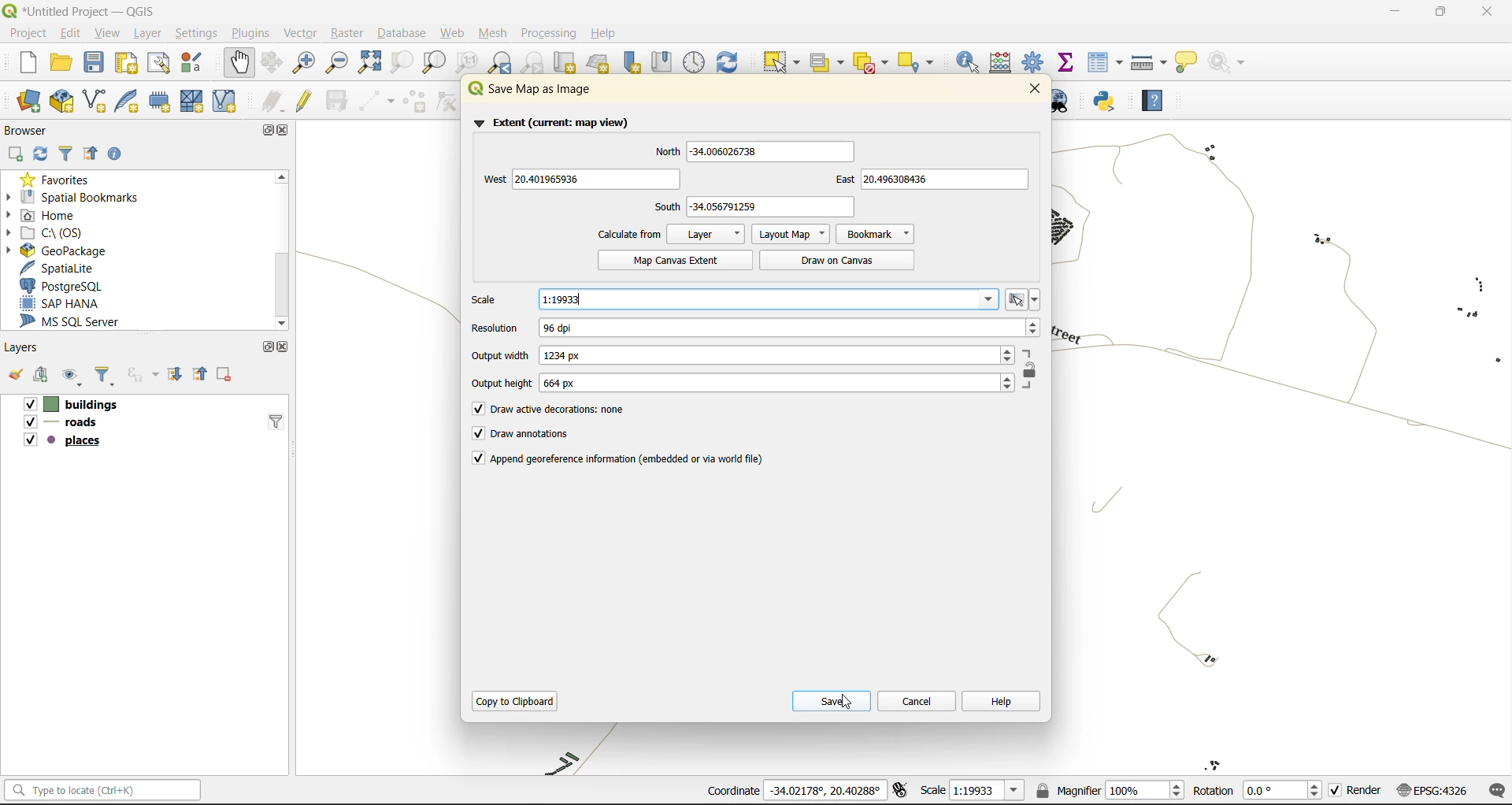 The height and width of the screenshot is (805, 1512). Describe the element at coordinates (577, 179) in the screenshot. I see `west` at that location.